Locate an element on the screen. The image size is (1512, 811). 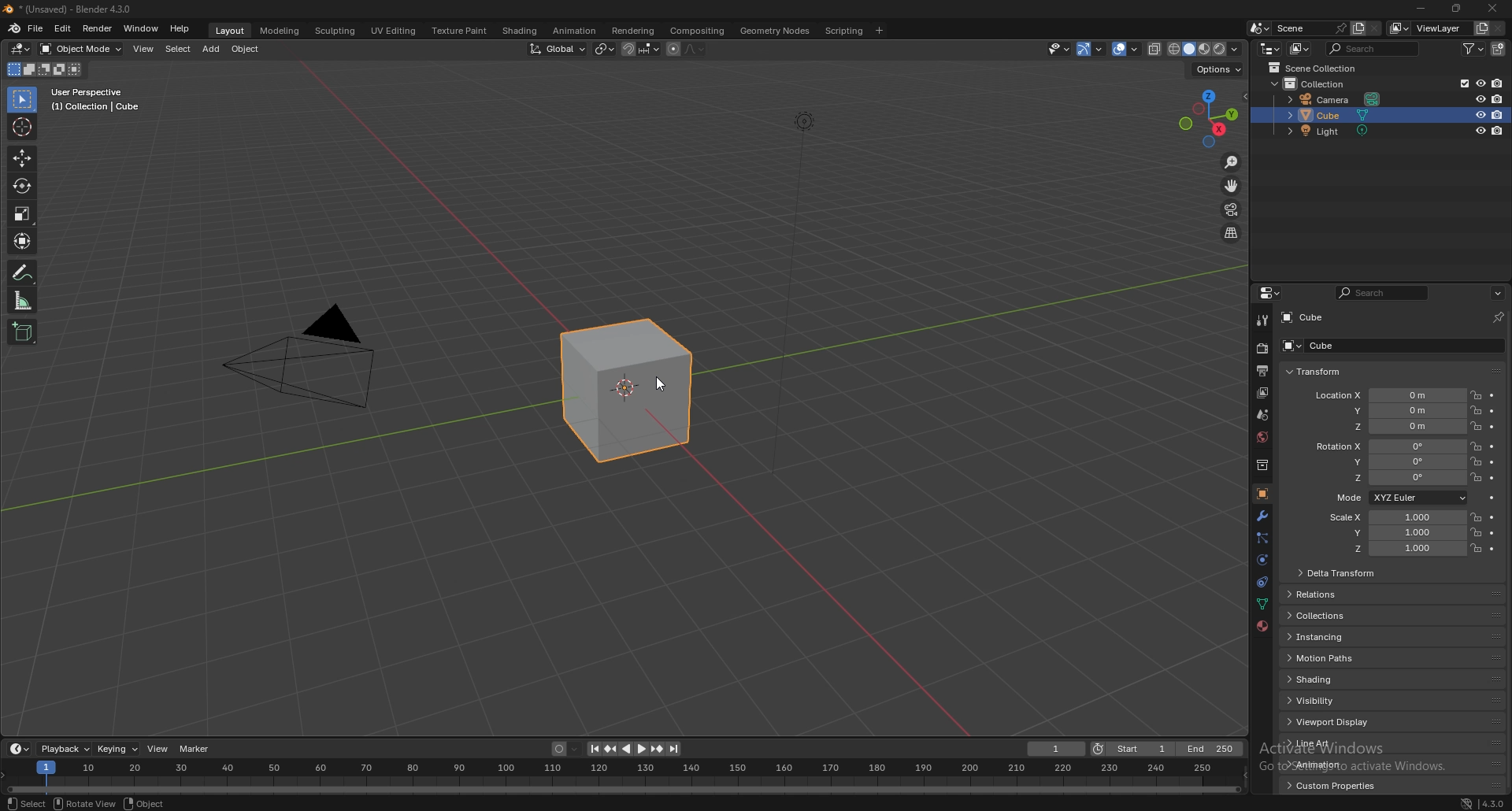
window is located at coordinates (141, 29).